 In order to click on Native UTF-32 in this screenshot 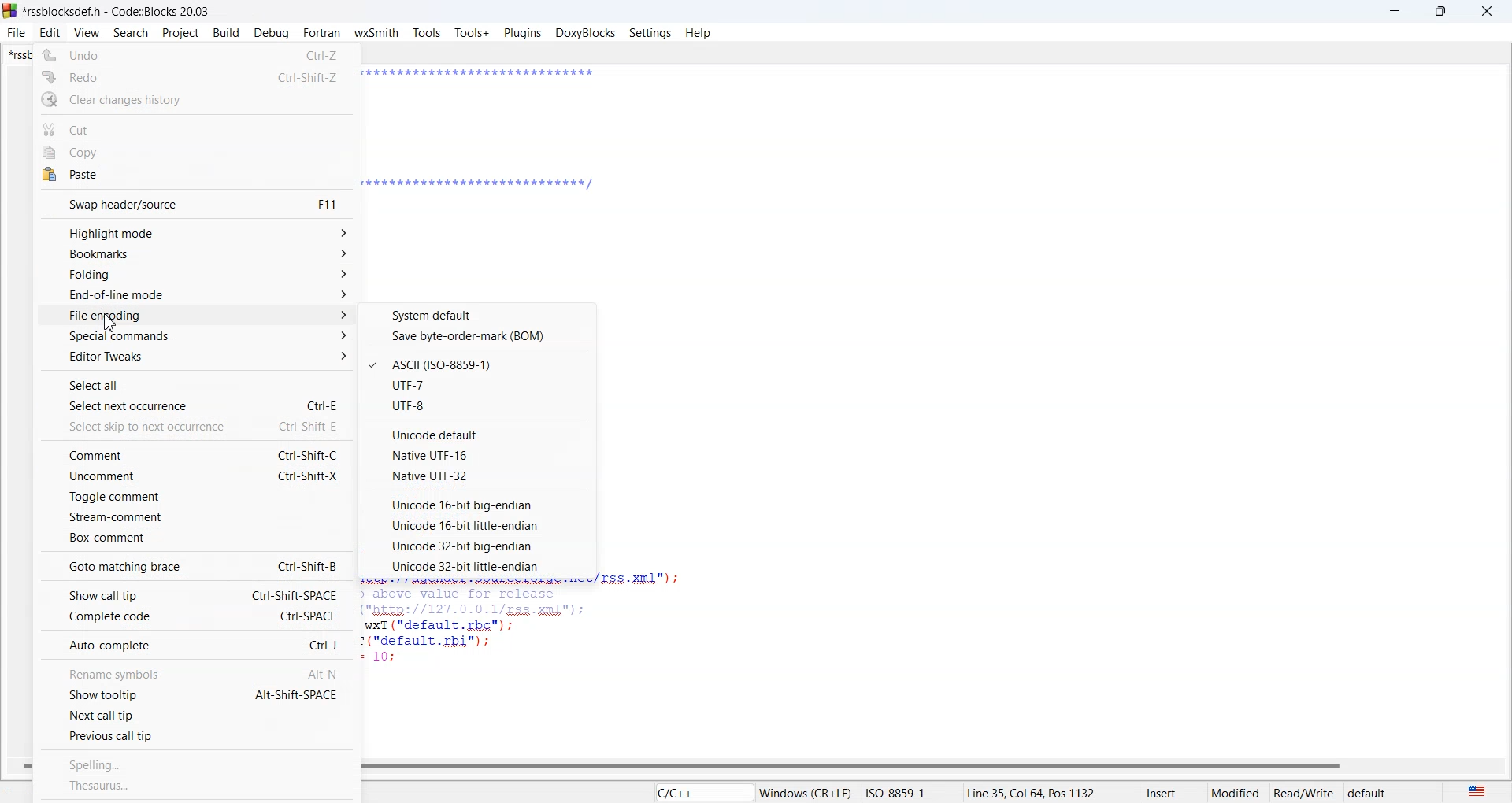, I will do `click(477, 476)`.